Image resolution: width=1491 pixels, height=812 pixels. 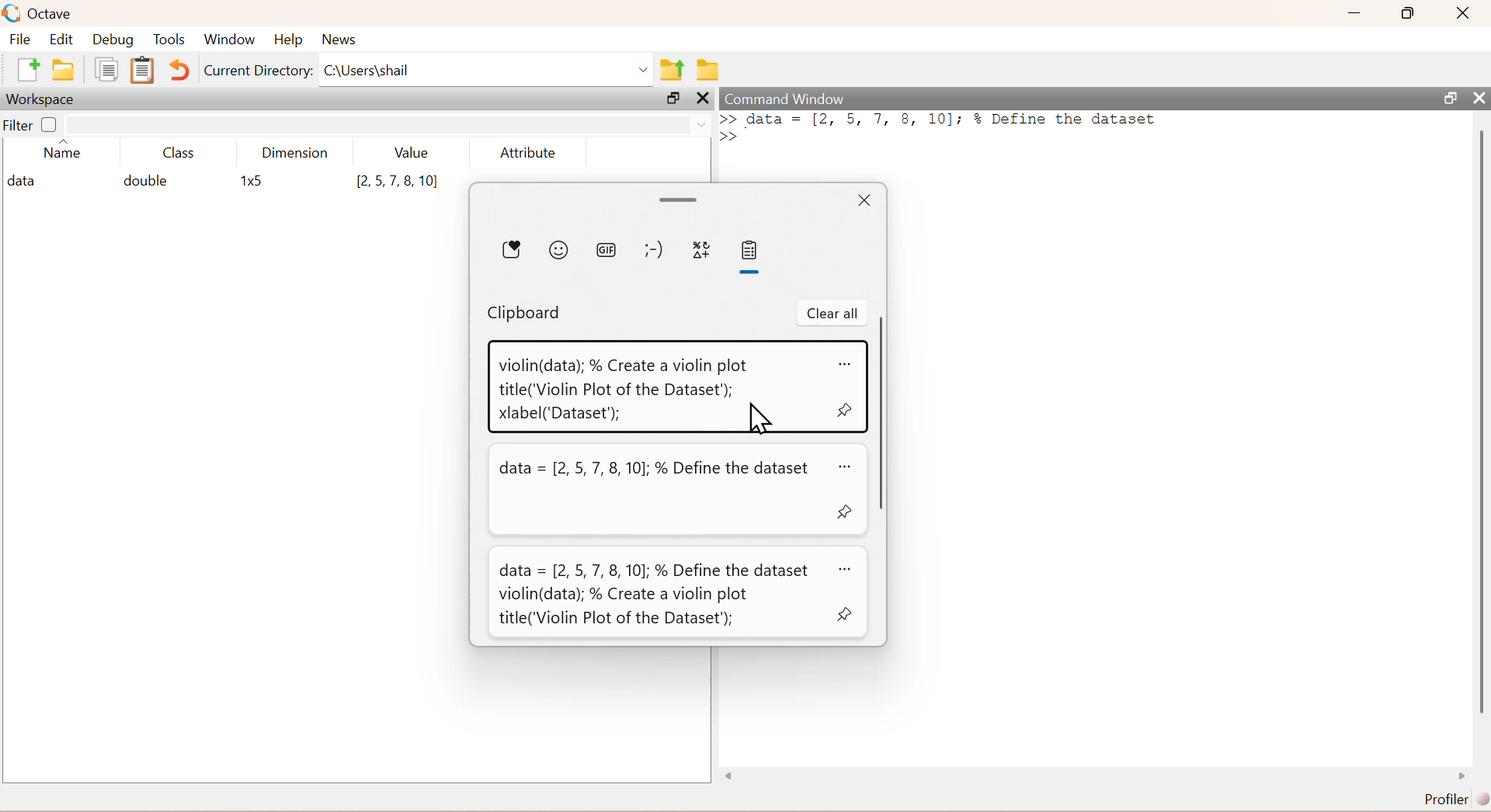 What do you see at coordinates (846, 364) in the screenshot?
I see `options` at bounding box center [846, 364].